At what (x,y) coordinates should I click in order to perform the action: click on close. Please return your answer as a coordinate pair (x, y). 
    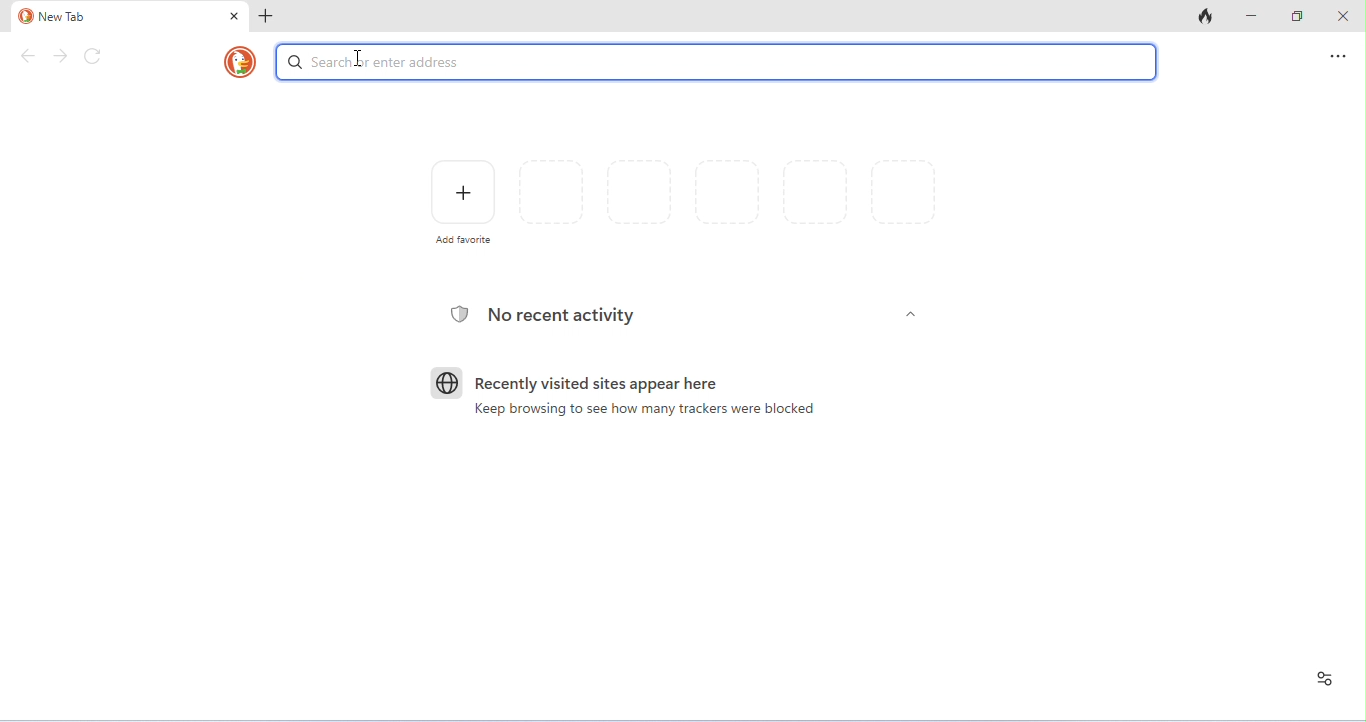
    Looking at the image, I should click on (236, 17).